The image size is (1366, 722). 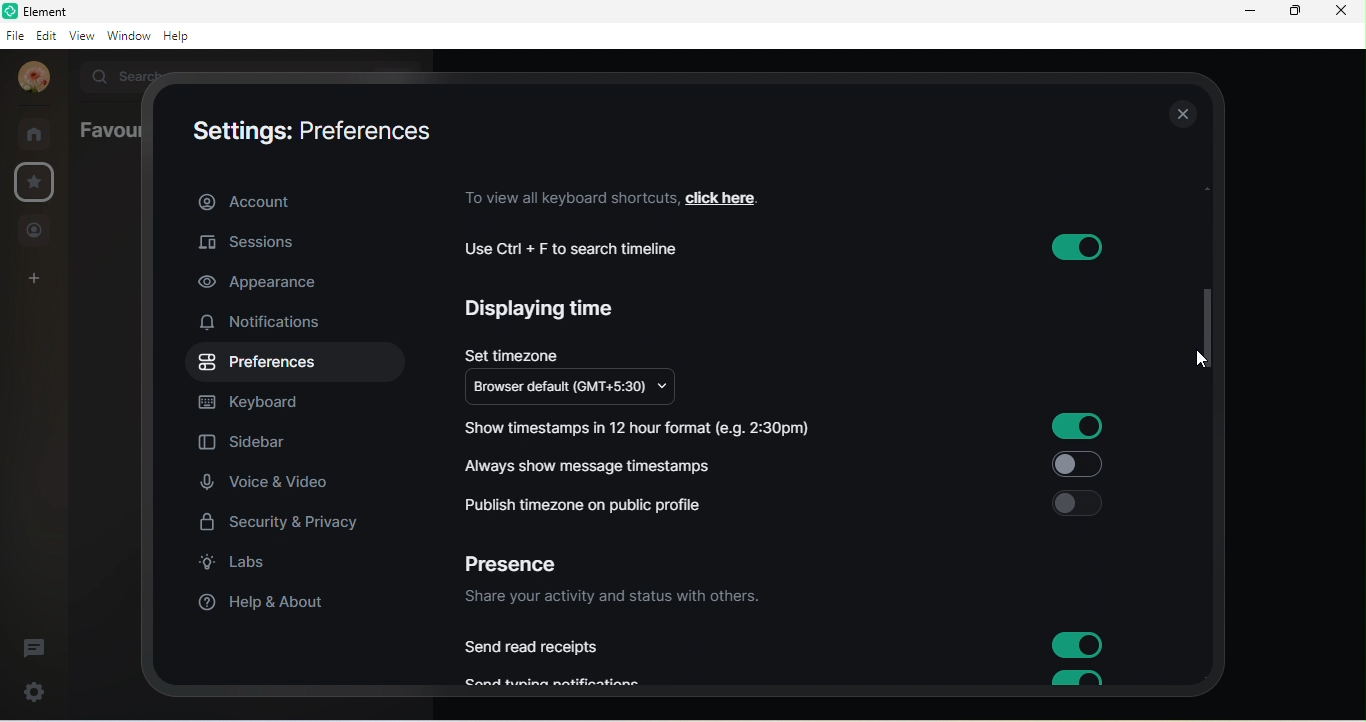 What do you see at coordinates (127, 37) in the screenshot?
I see `window` at bounding box center [127, 37].